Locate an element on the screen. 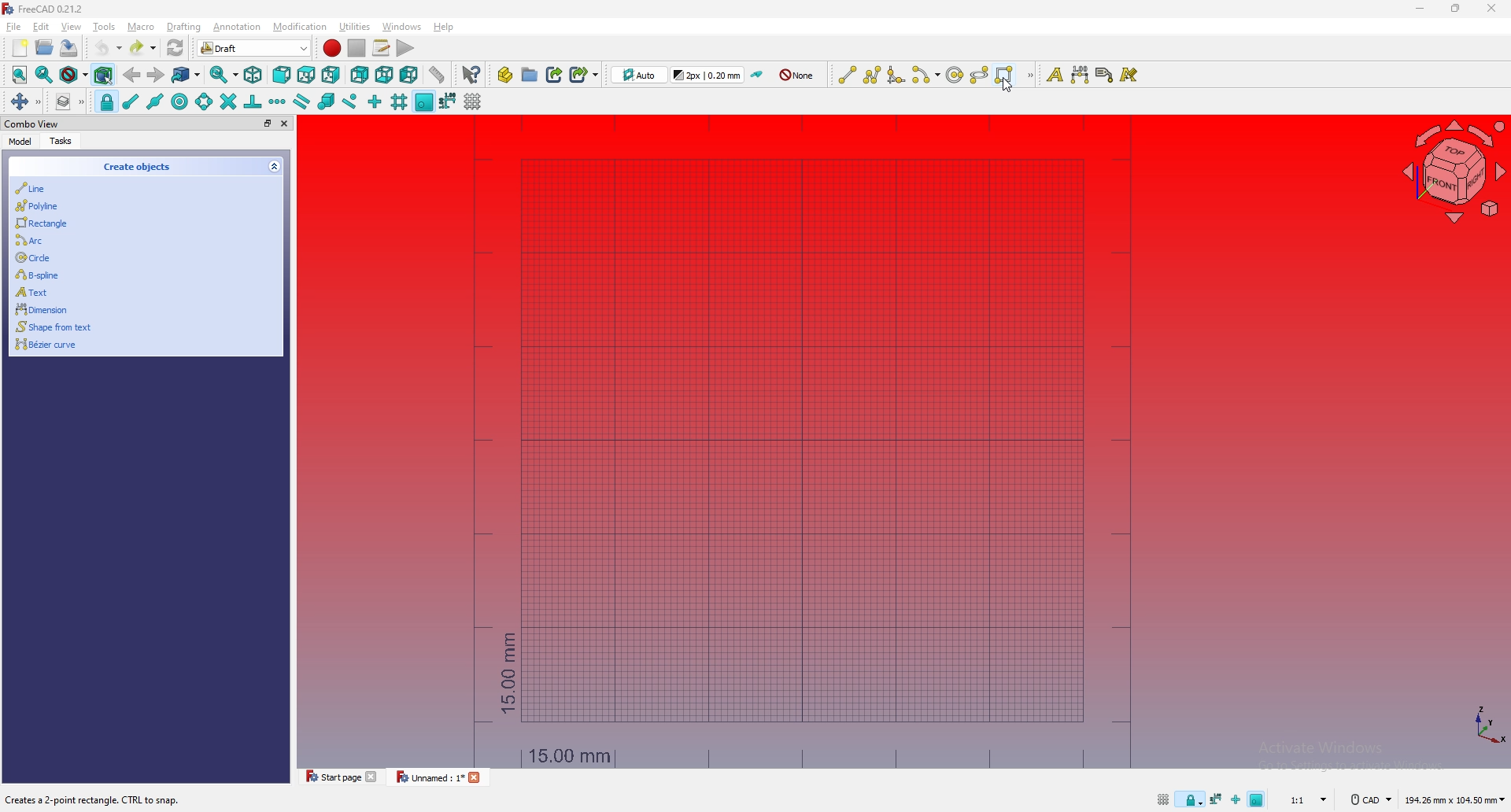  front is located at coordinates (282, 75).